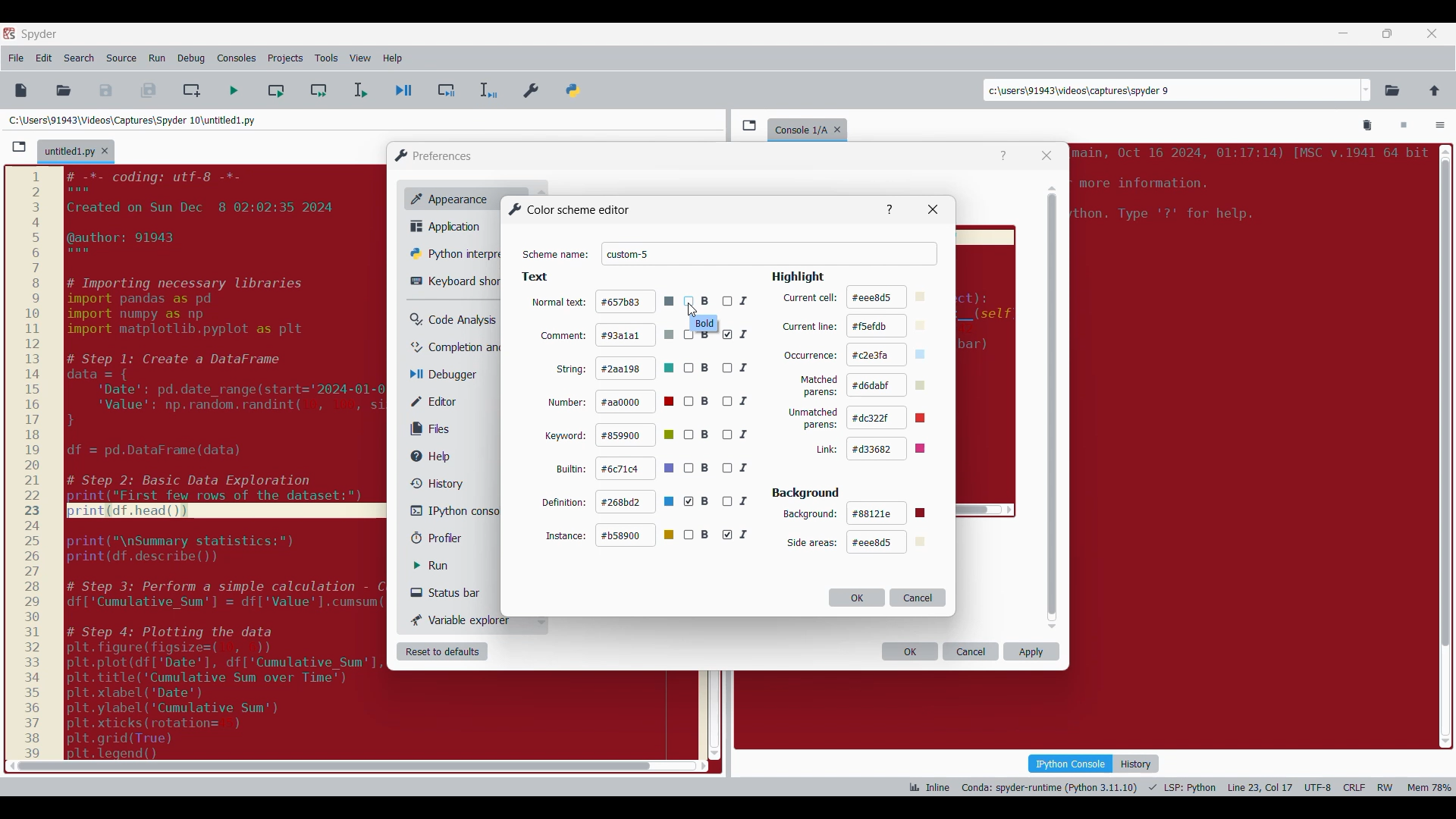  Describe the element at coordinates (637, 435) in the screenshot. I see `#859900` at that location.